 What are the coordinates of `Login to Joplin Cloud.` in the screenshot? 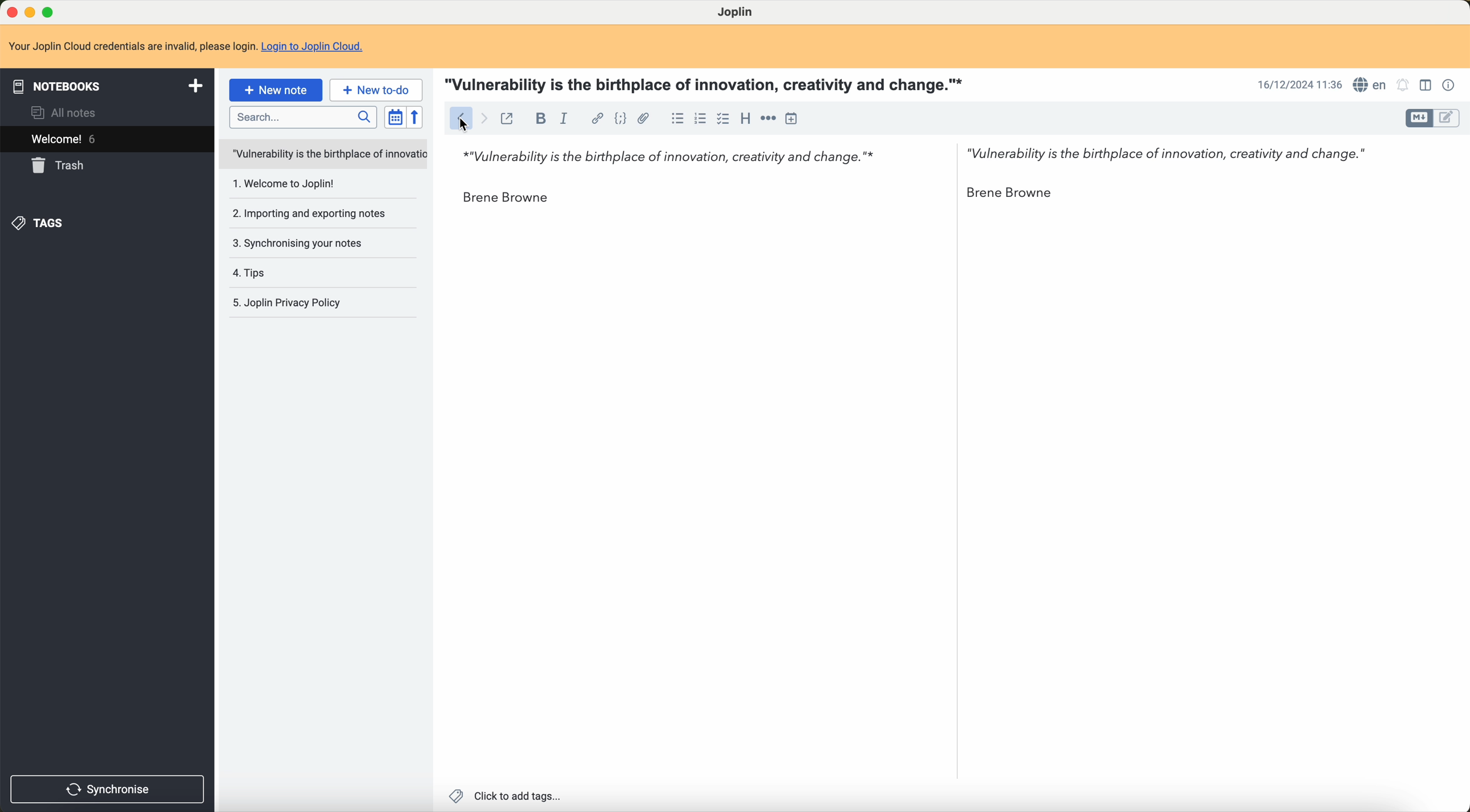 It's located at (318, 45).